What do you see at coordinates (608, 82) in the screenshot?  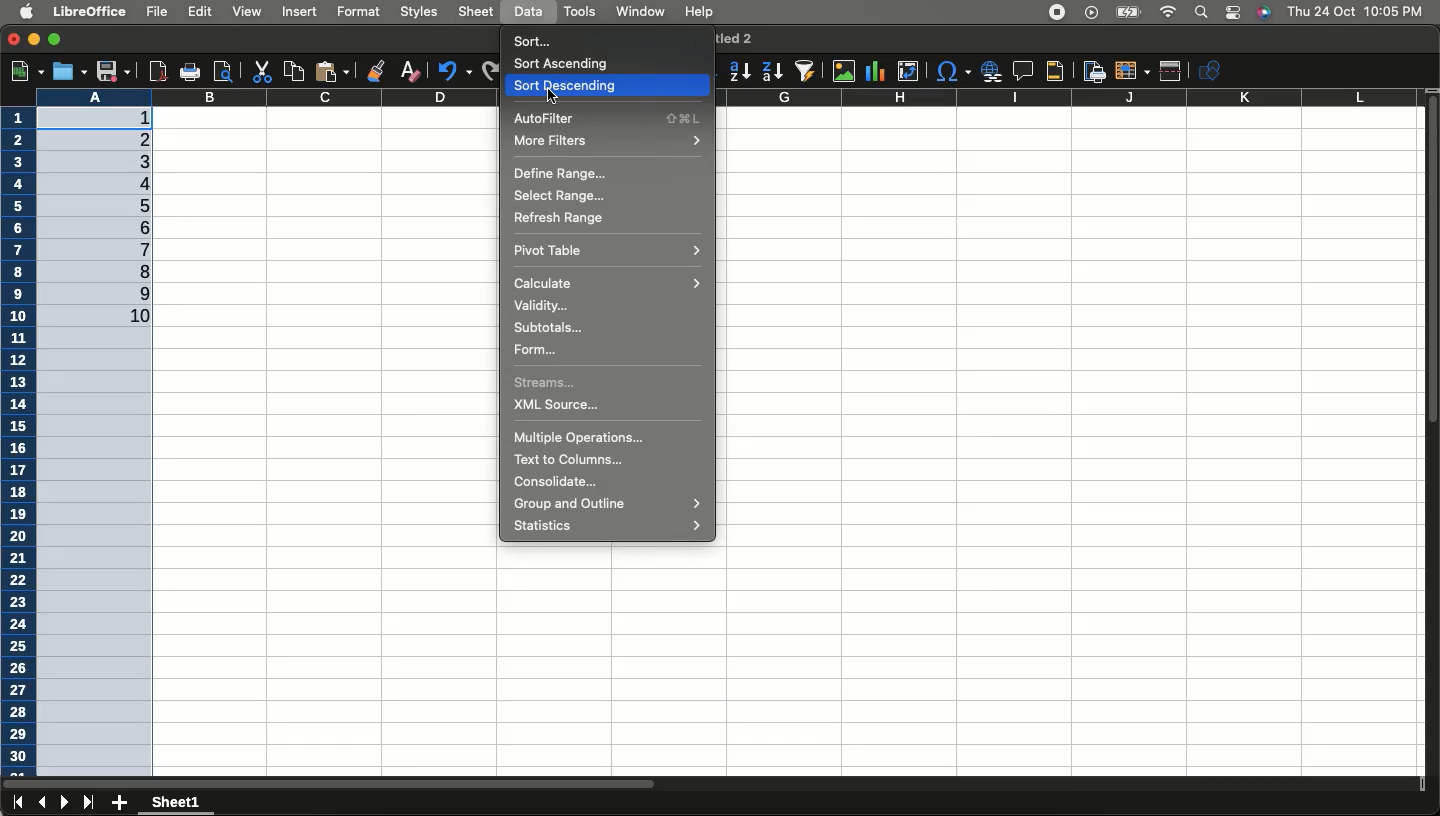 I see `Sort descending` at bounding box center [608, 82].